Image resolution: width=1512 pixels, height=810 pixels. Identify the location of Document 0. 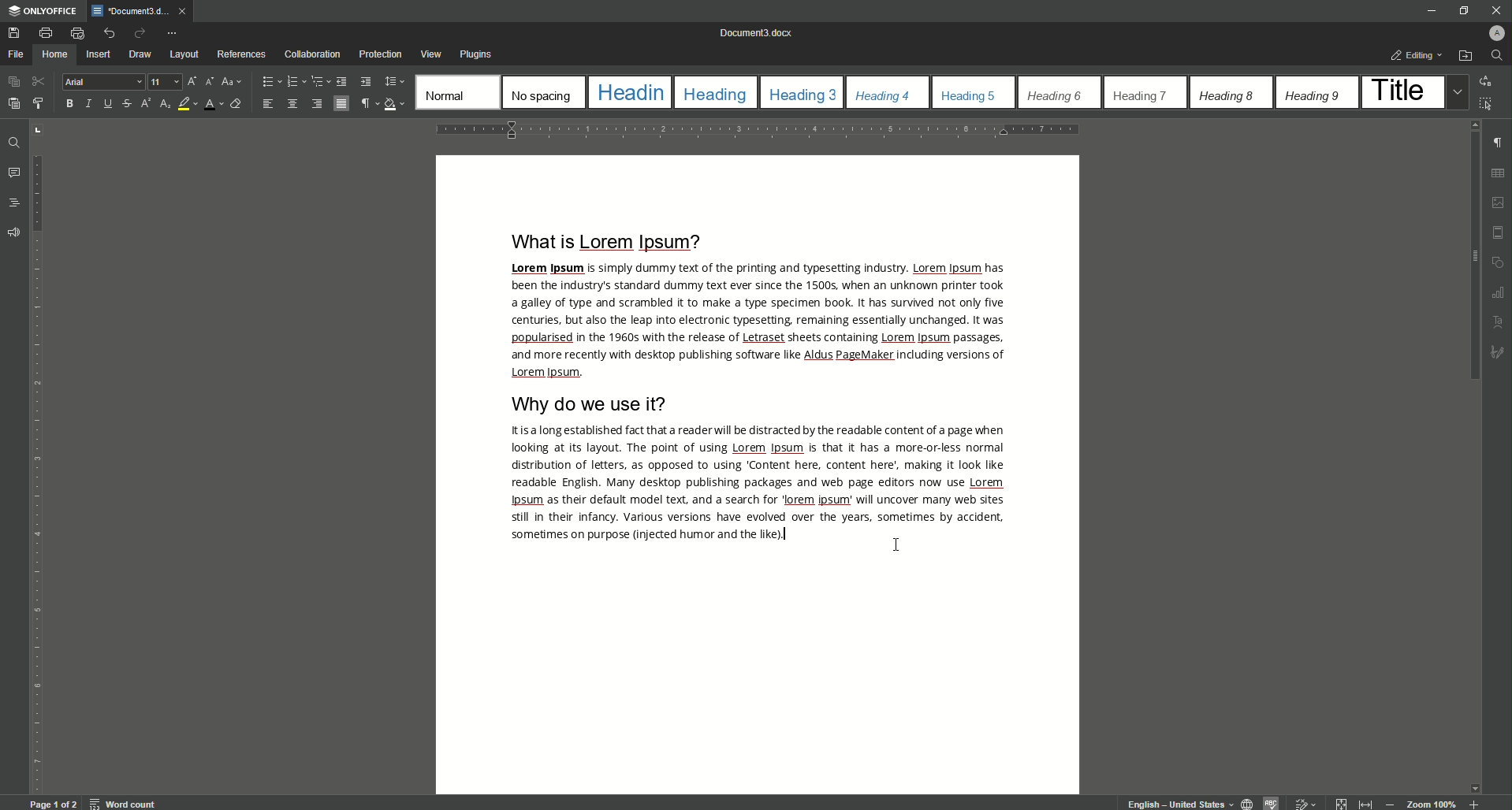
(757, 33).